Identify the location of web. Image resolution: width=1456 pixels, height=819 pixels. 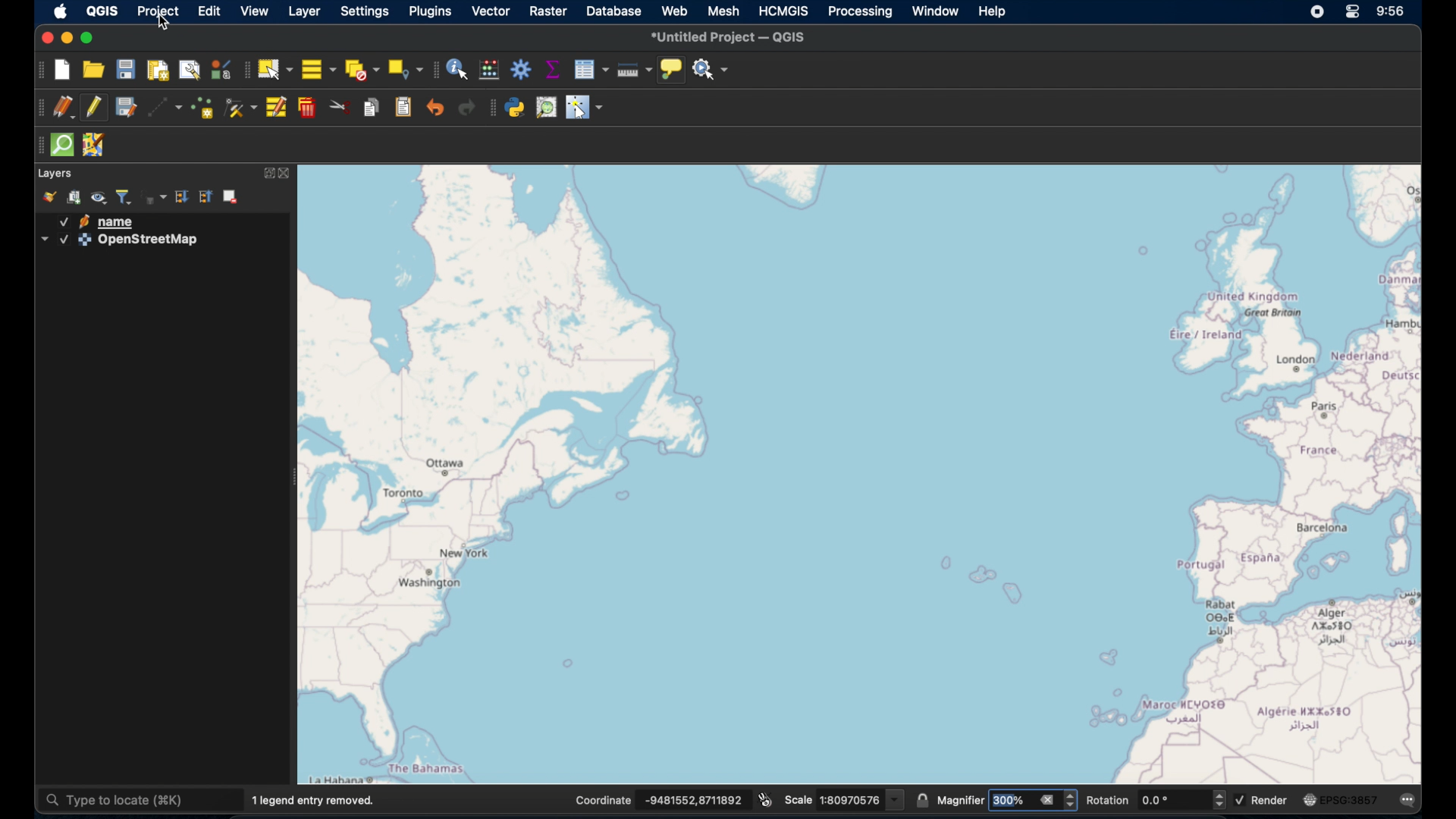
(675, 11).